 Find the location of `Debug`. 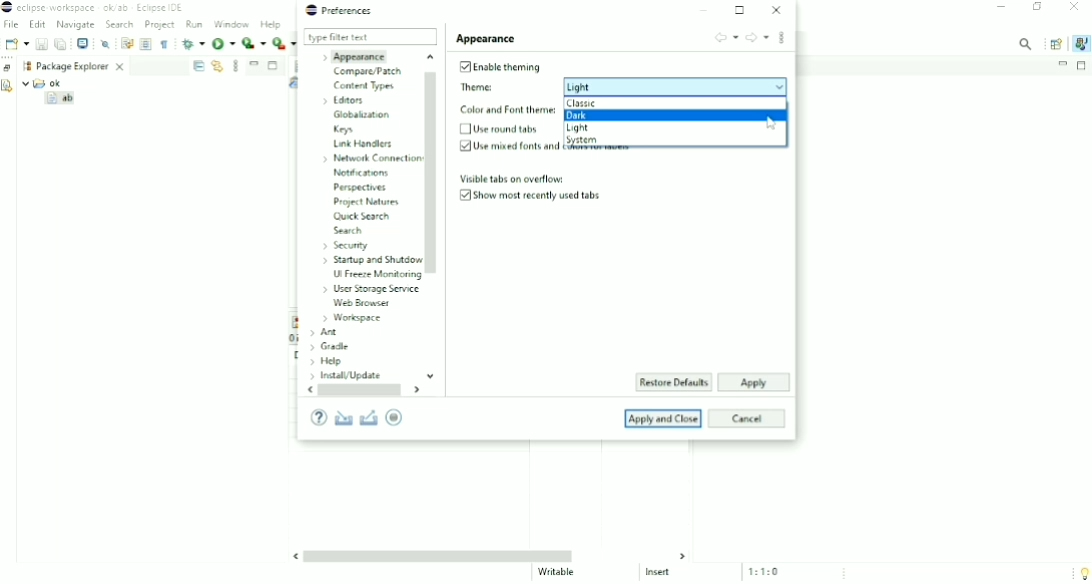

Debug is located at coordinates (192, 43).